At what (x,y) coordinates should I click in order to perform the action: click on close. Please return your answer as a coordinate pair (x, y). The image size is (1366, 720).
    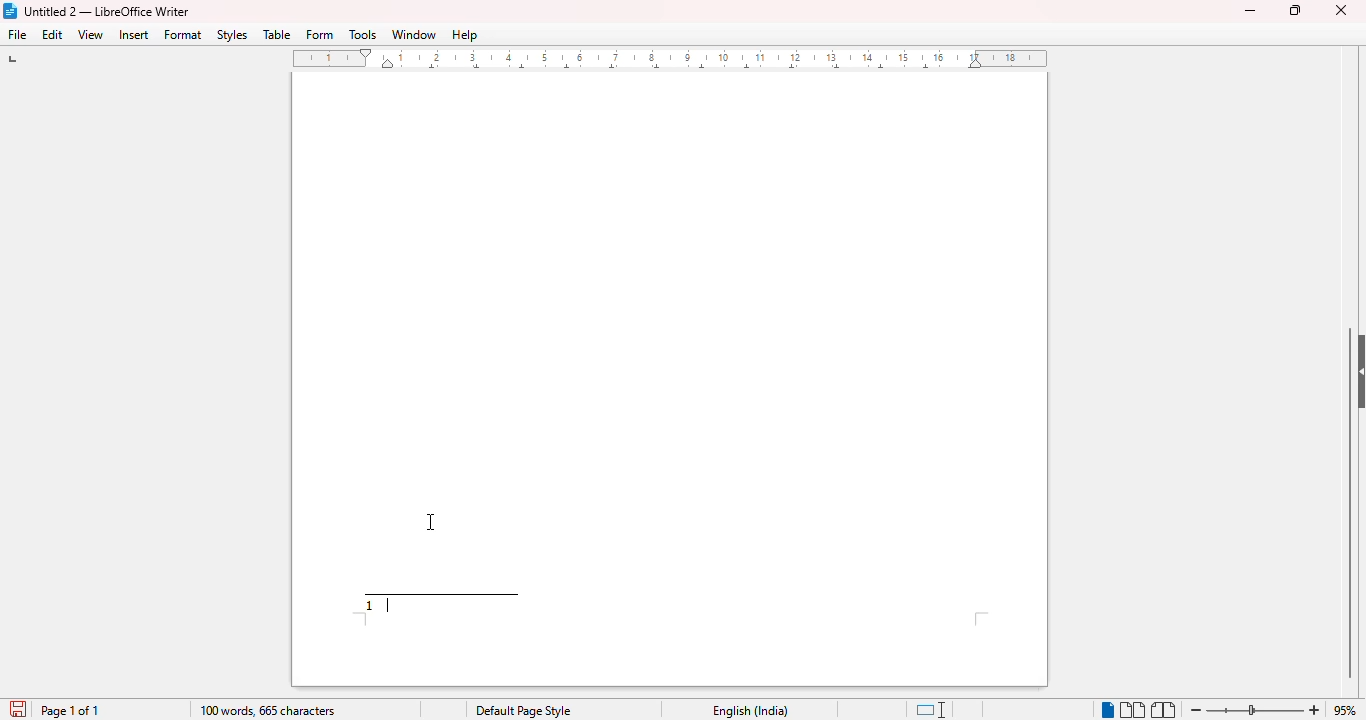
    Looking at the image, I should click on (1343, 9).